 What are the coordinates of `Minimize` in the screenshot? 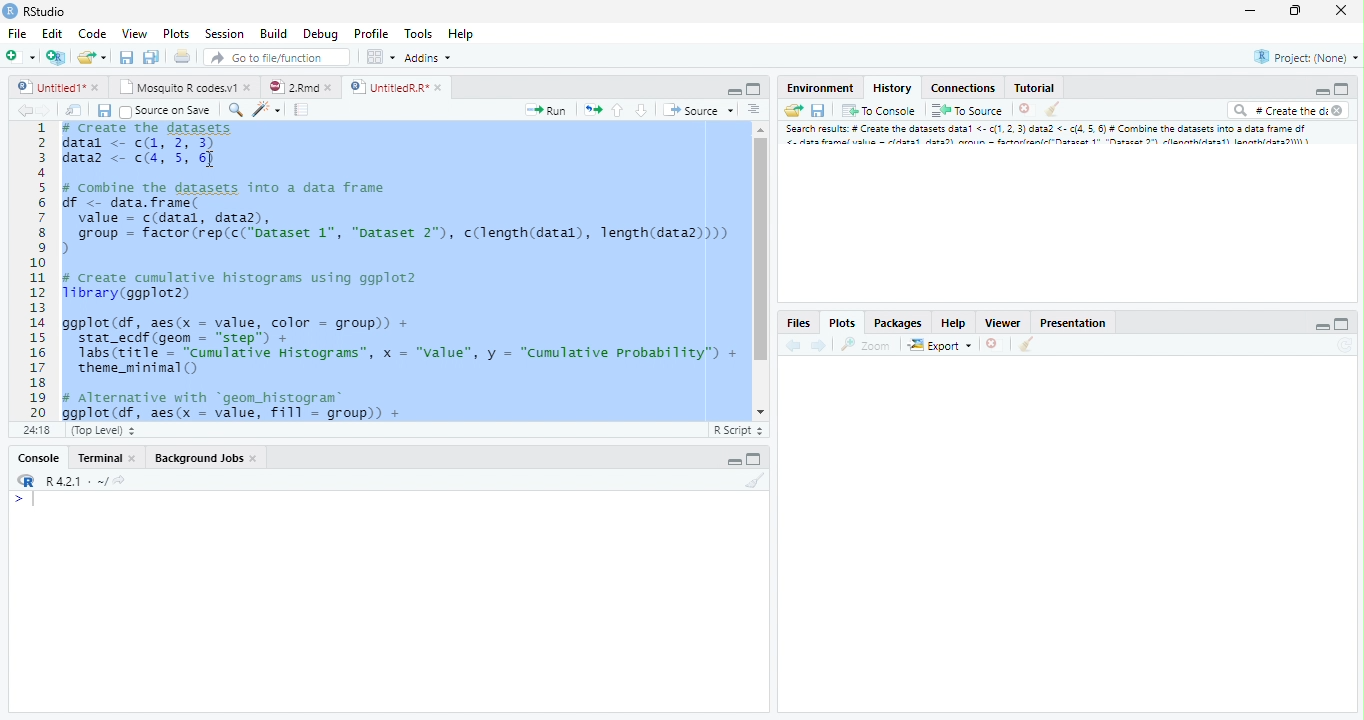 It's located at (1319, 325).